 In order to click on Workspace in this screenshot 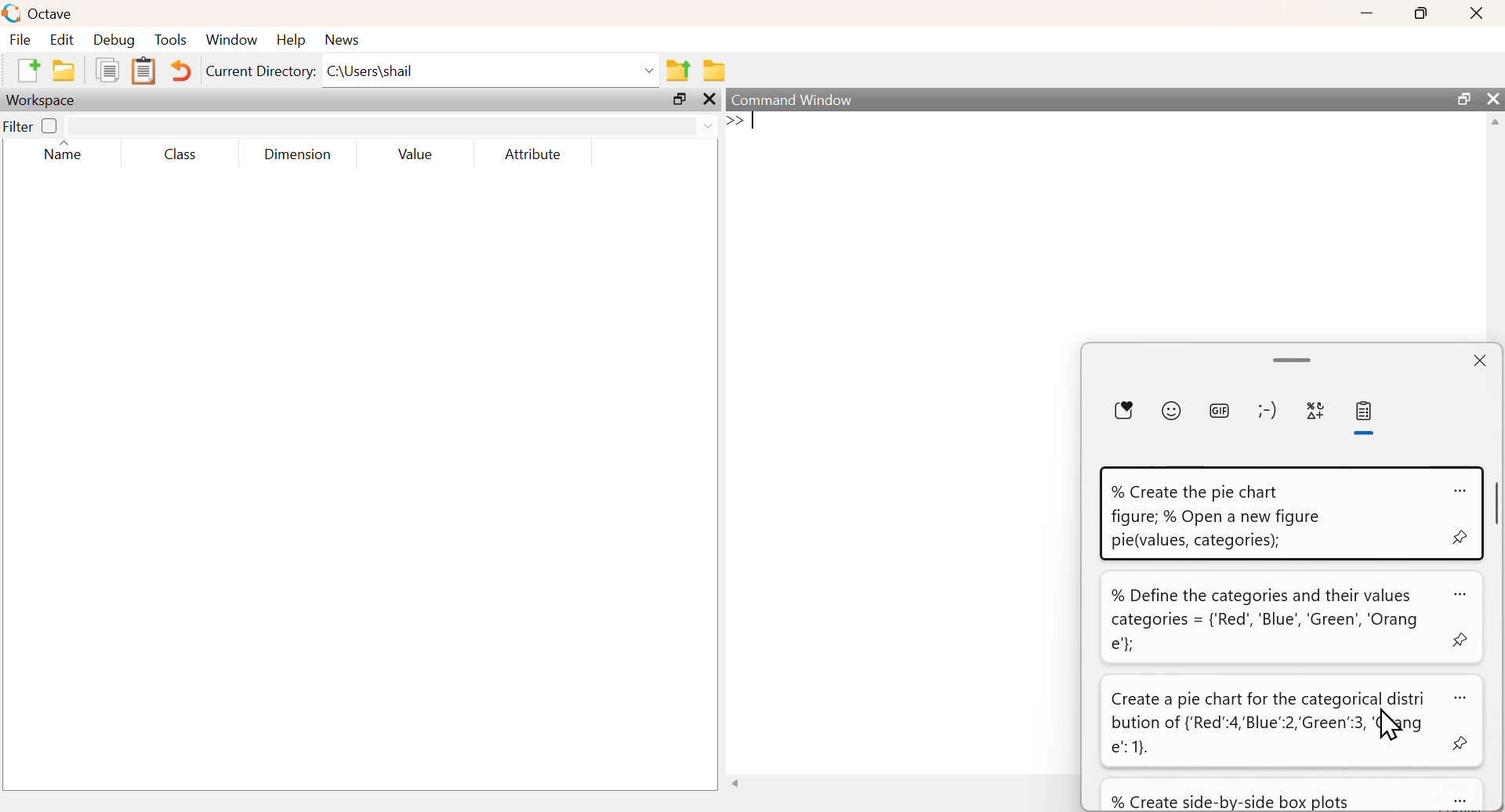, I will do `click(44, 100)`.